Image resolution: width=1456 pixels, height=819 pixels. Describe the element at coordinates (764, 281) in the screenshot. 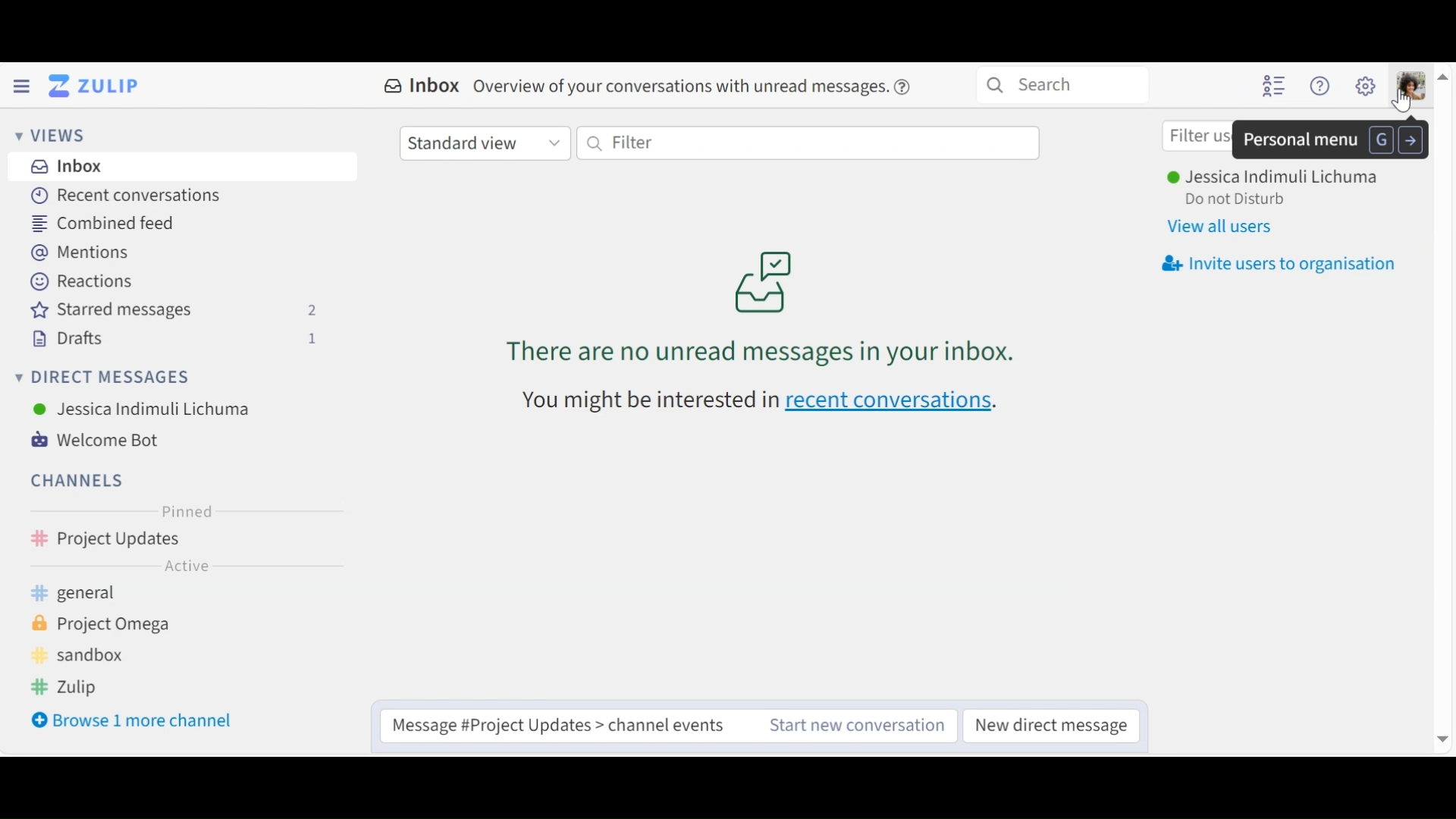

I see `inbox logo` at that location.